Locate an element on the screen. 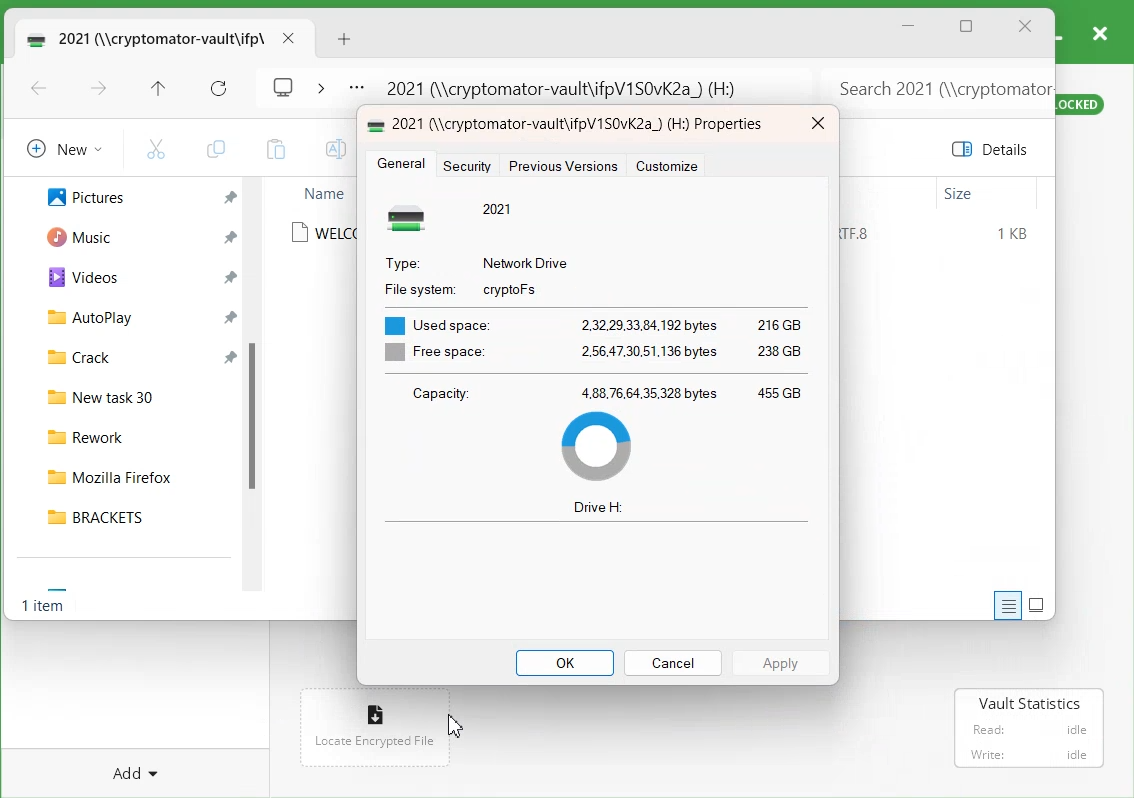  455GB is located at coordinates (779, 390).